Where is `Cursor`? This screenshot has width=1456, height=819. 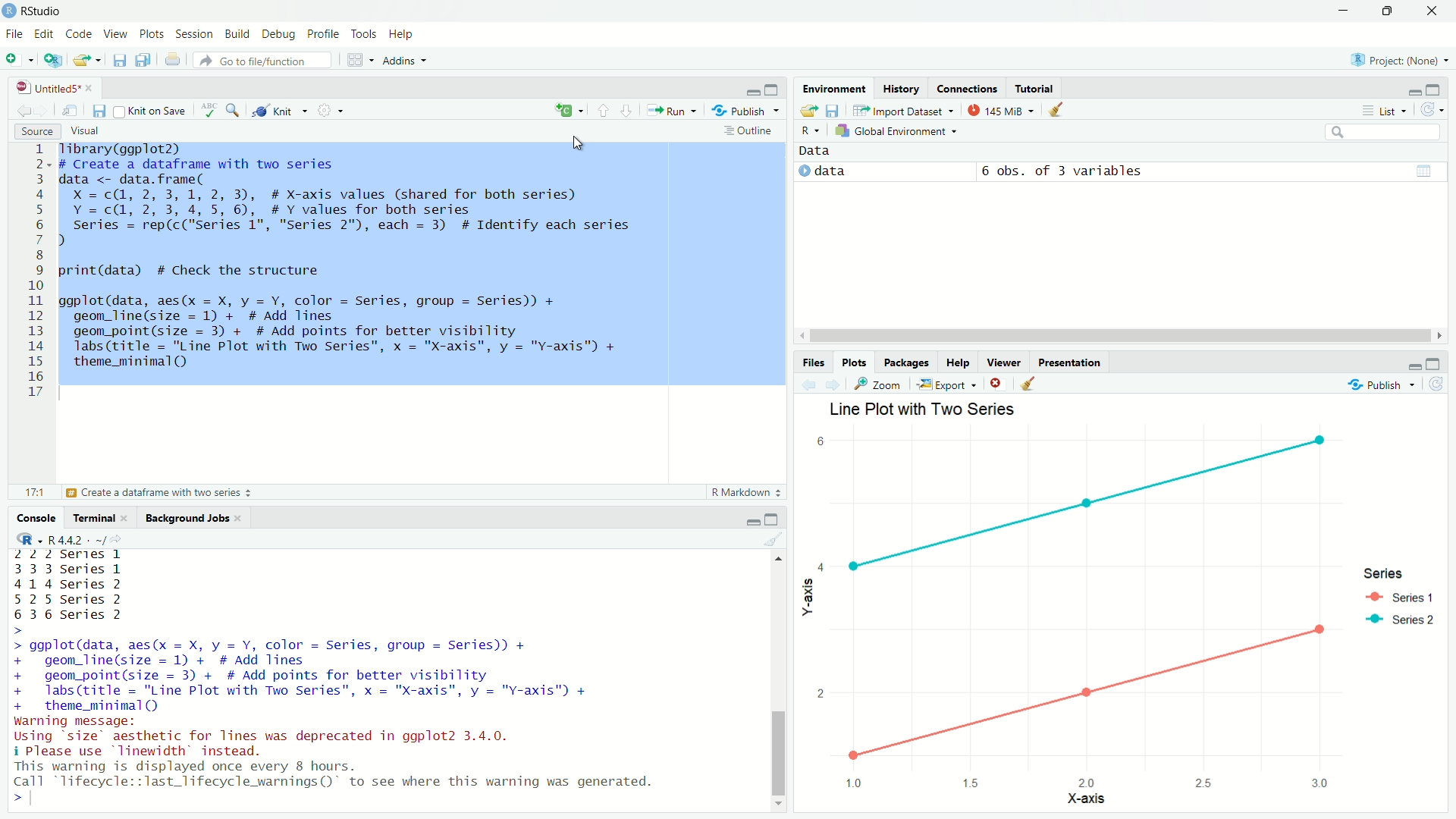 Cursor is located at coordinates (577, 144).